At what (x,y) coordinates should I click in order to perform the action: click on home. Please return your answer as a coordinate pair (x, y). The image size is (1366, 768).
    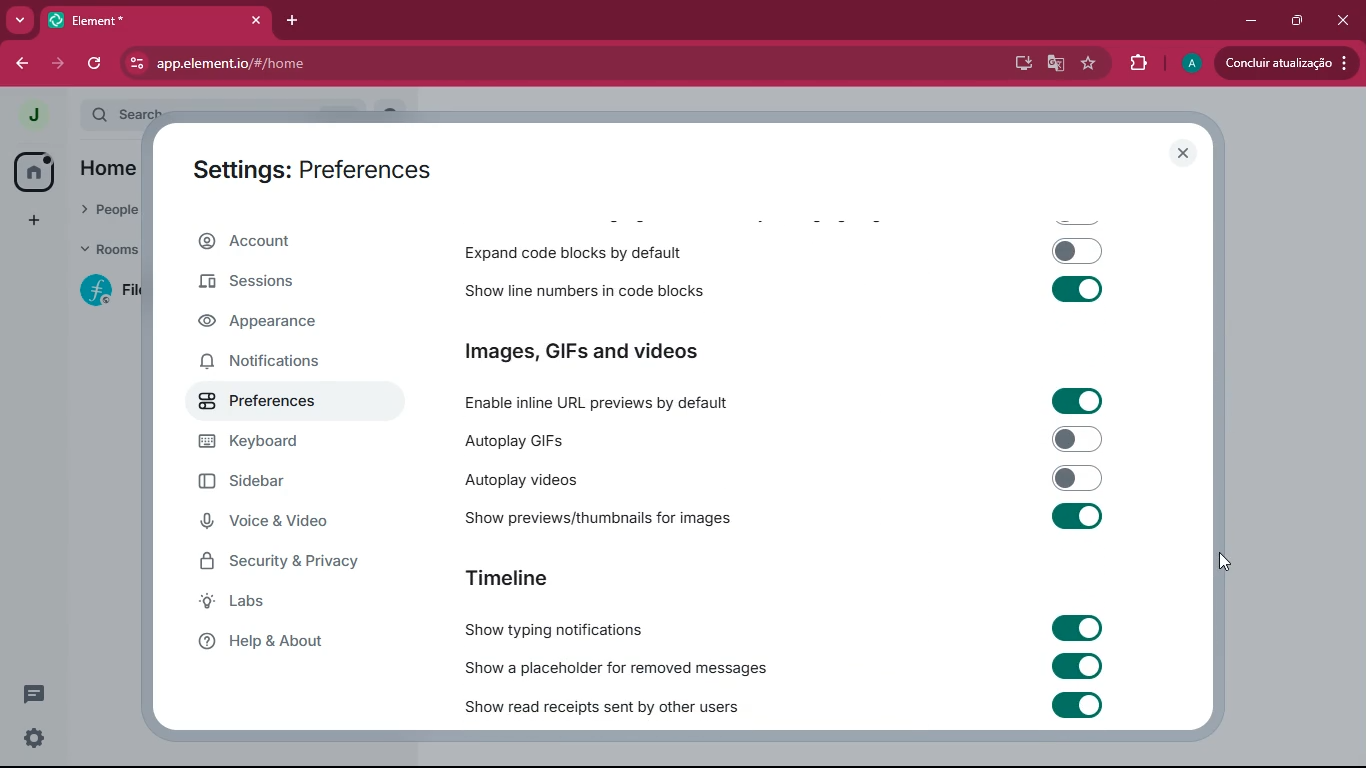
    Looking at the image, I should click on (38, 170).